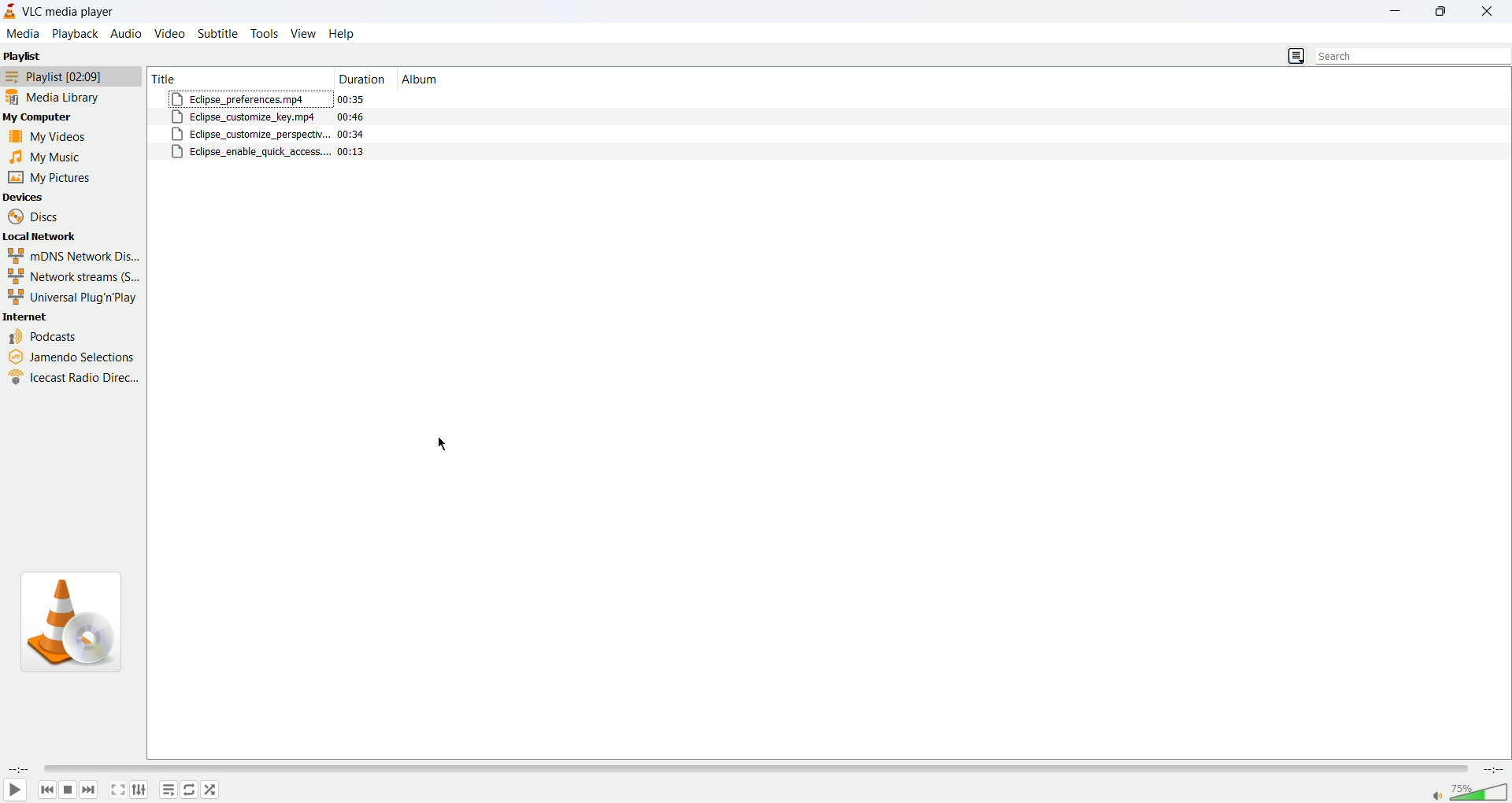 This screenshot has width=1512, height=803. What do you see at coordinates (74, 118) in the screenshot?
I see `my computer` at bounding box center [74, 118].